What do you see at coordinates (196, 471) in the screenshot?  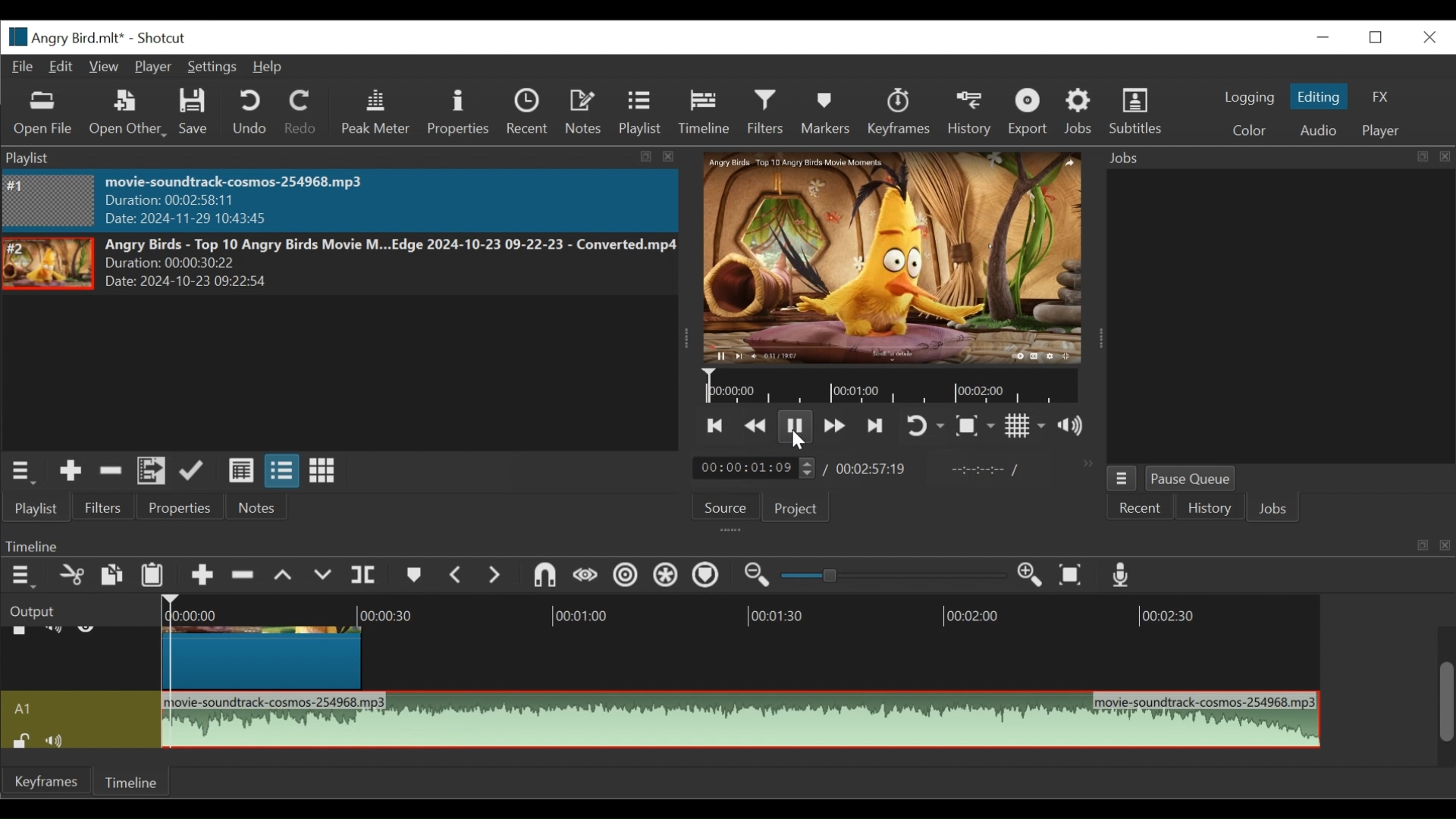 I see `Update` at bounding box center [196, 471].